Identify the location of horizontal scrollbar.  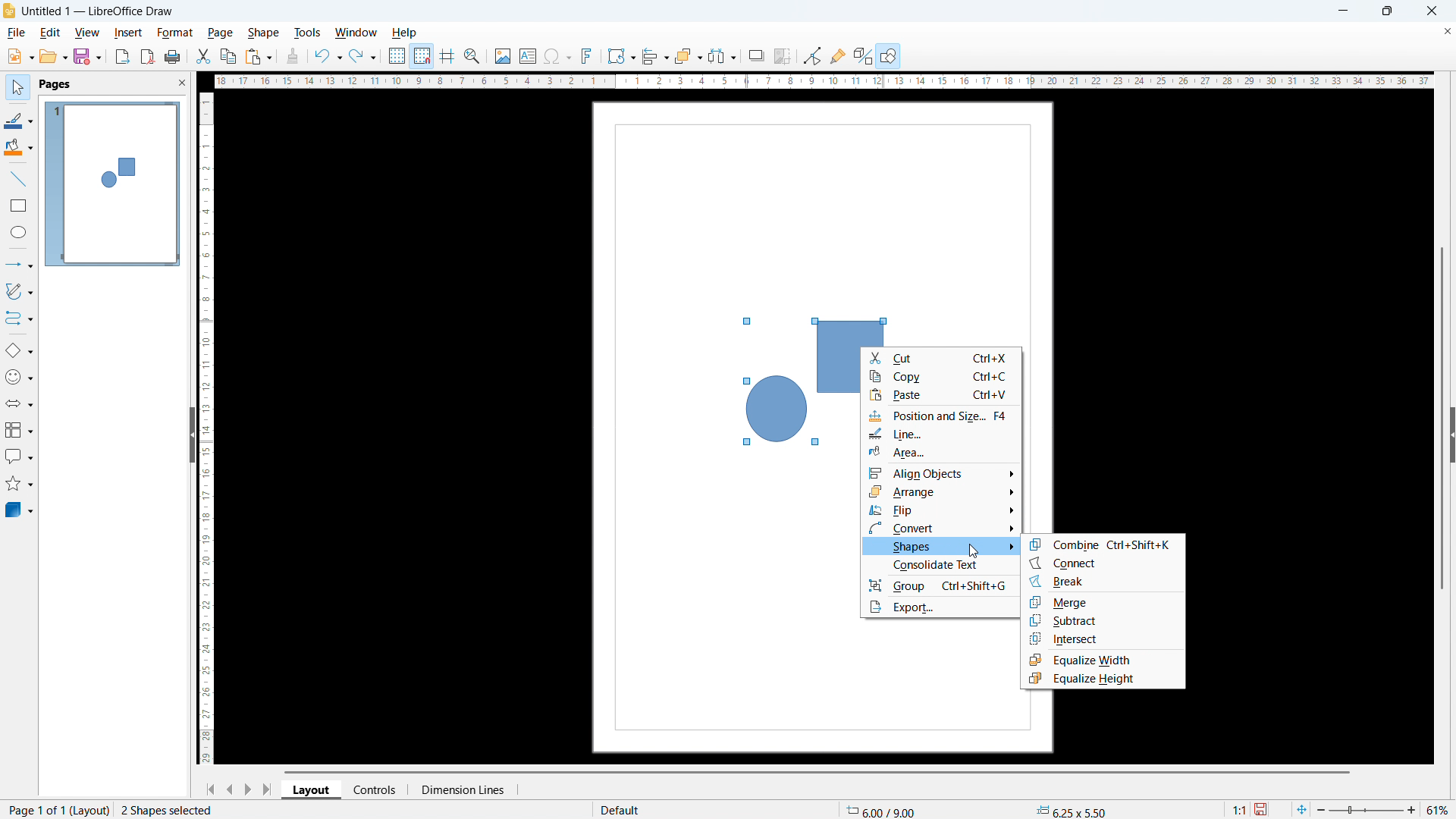
(813, 772).